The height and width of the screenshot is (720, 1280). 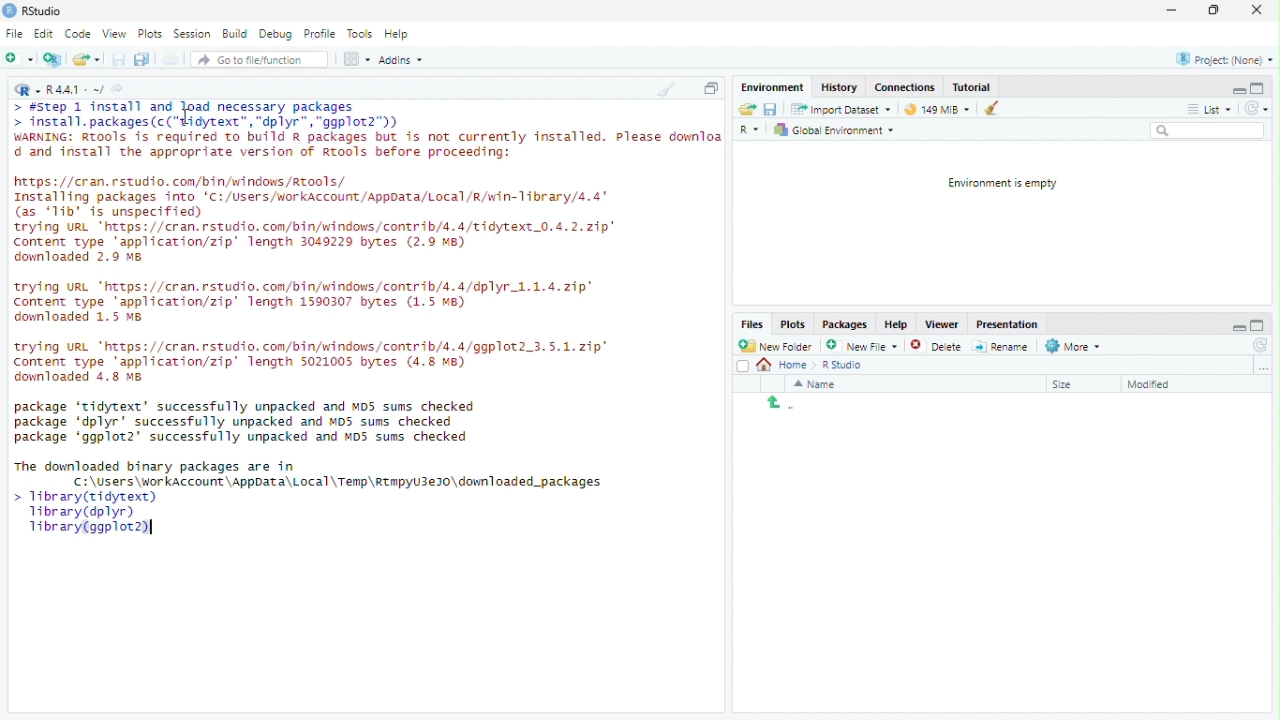 I want to click on Create new project, so click(x=53, y=59).